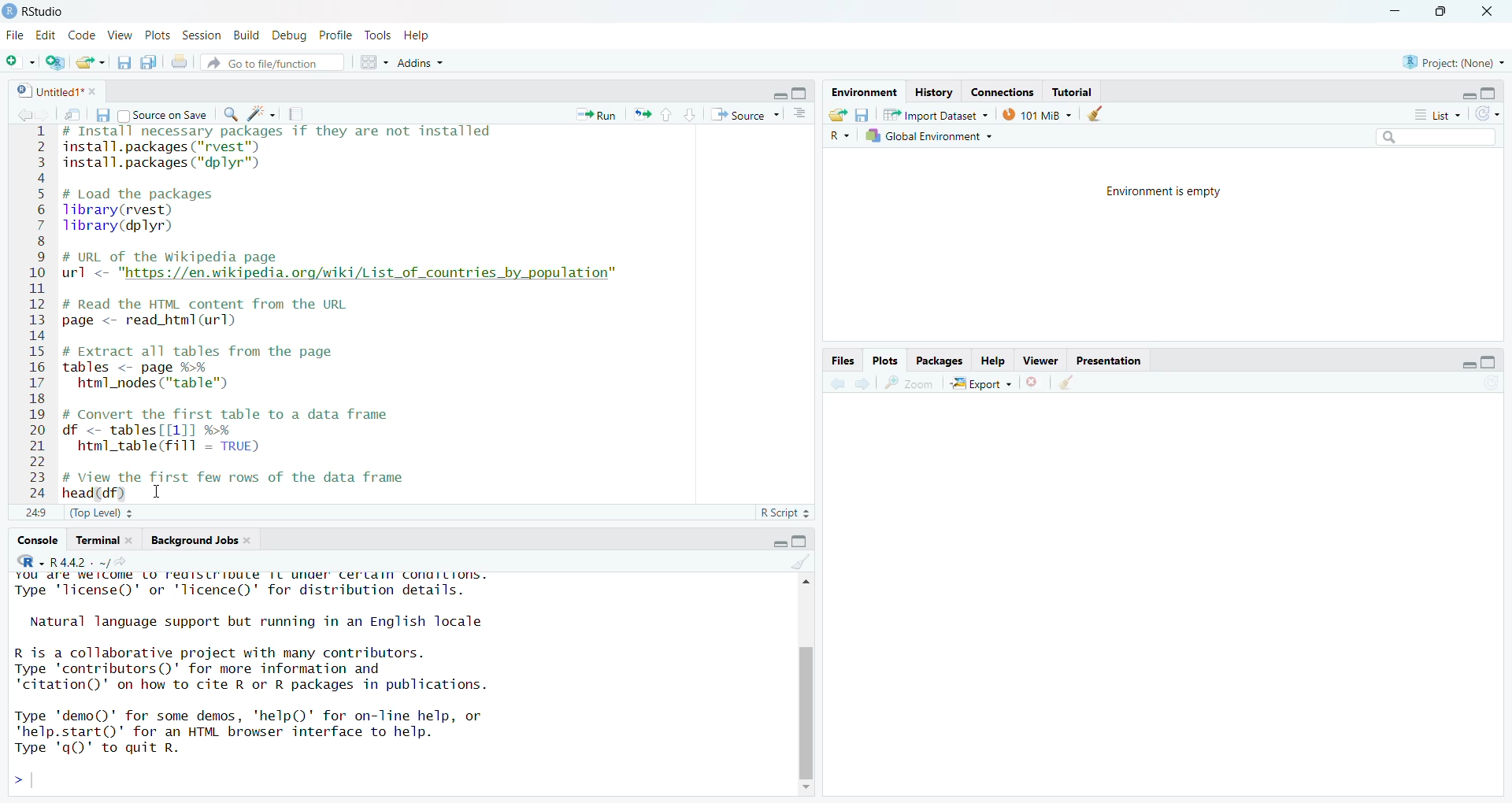 This screenshot has height=803, width=1512. I want to click on resize, so click(1440, 12).